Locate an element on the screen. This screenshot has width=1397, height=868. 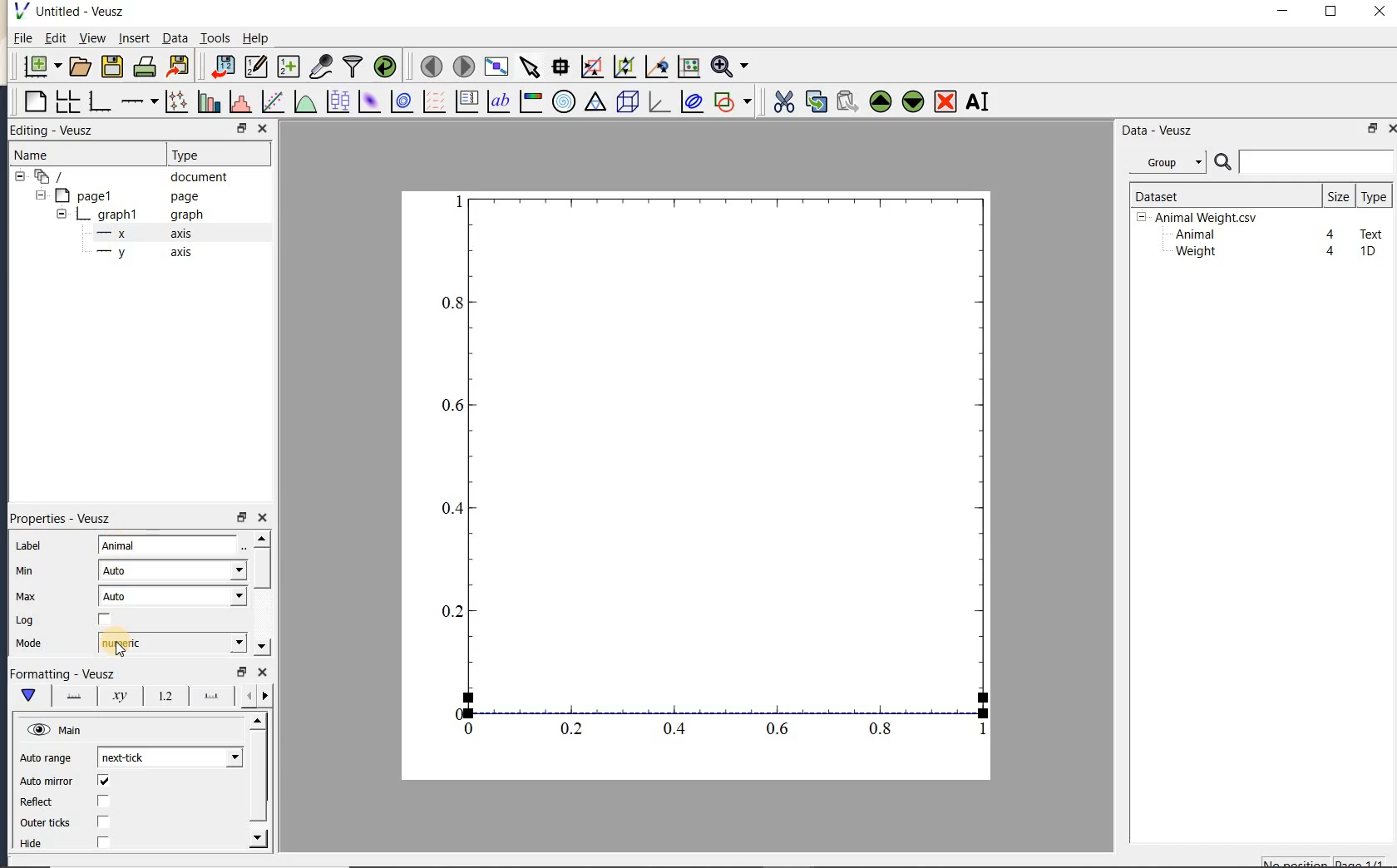
Animalweight.csv is located at coordinates (1201, 218).